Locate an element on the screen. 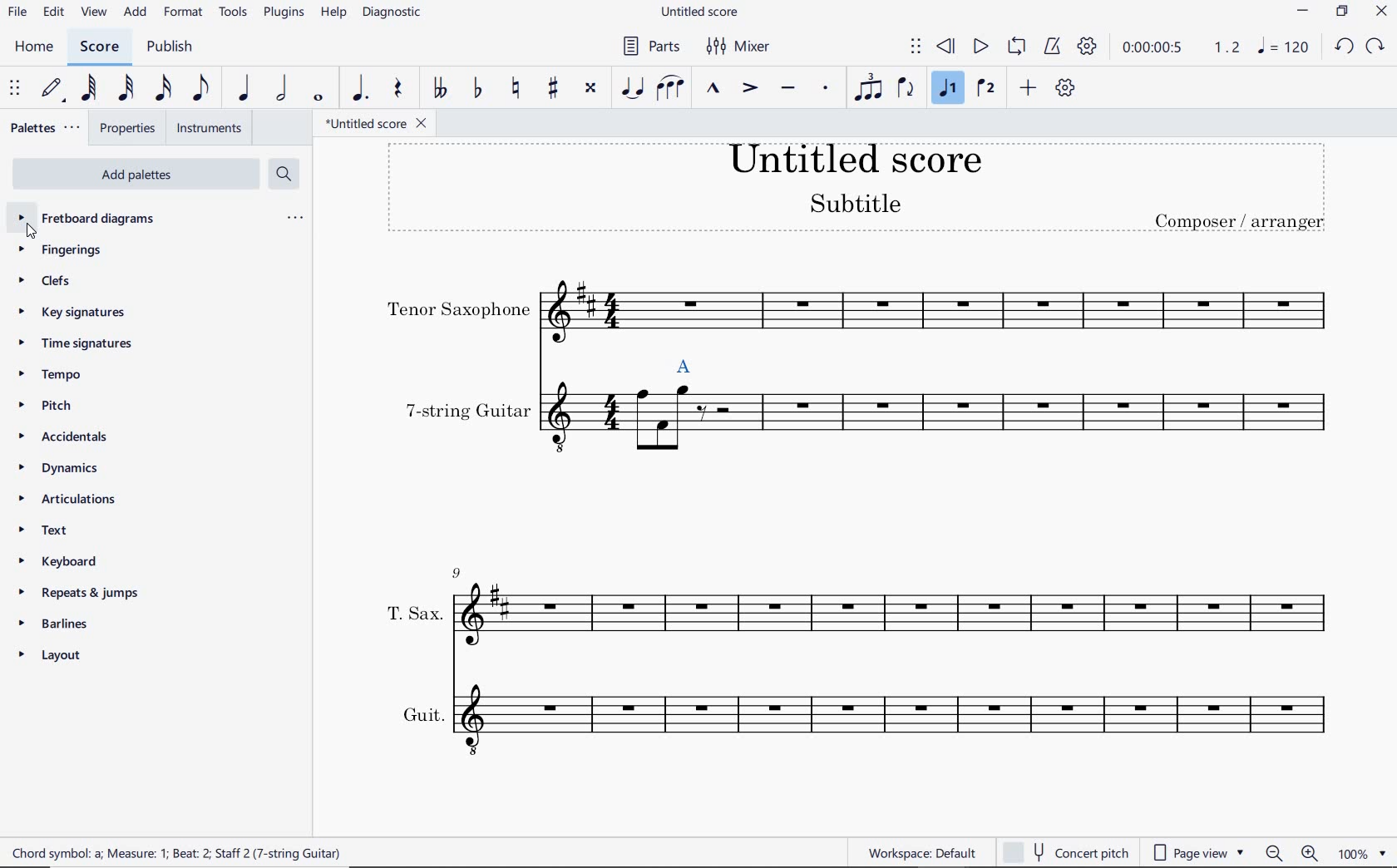  CLOSE is located at coordinates (1382, 12).